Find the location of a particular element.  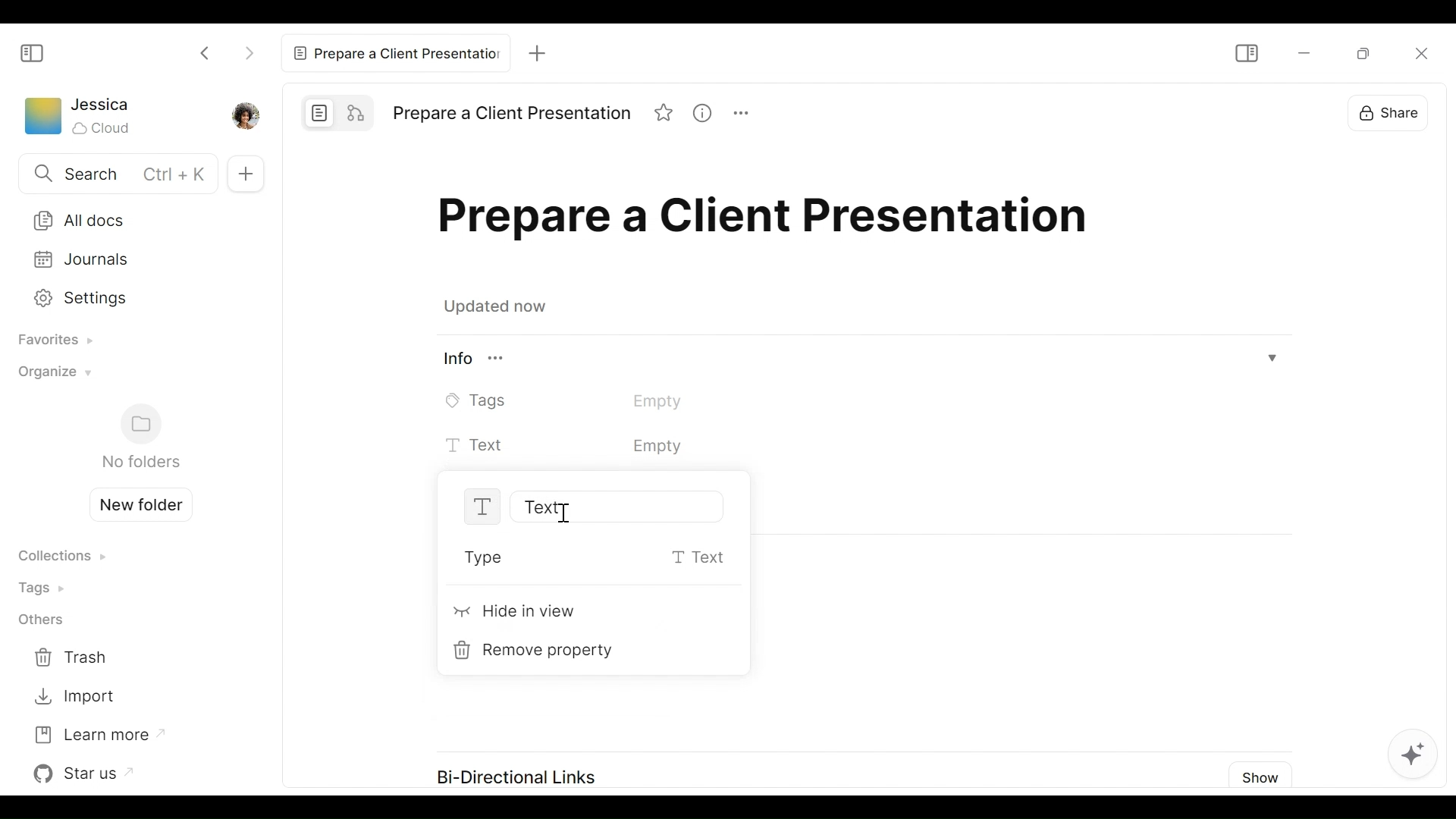

Trash is located at coordinates (74, 658).